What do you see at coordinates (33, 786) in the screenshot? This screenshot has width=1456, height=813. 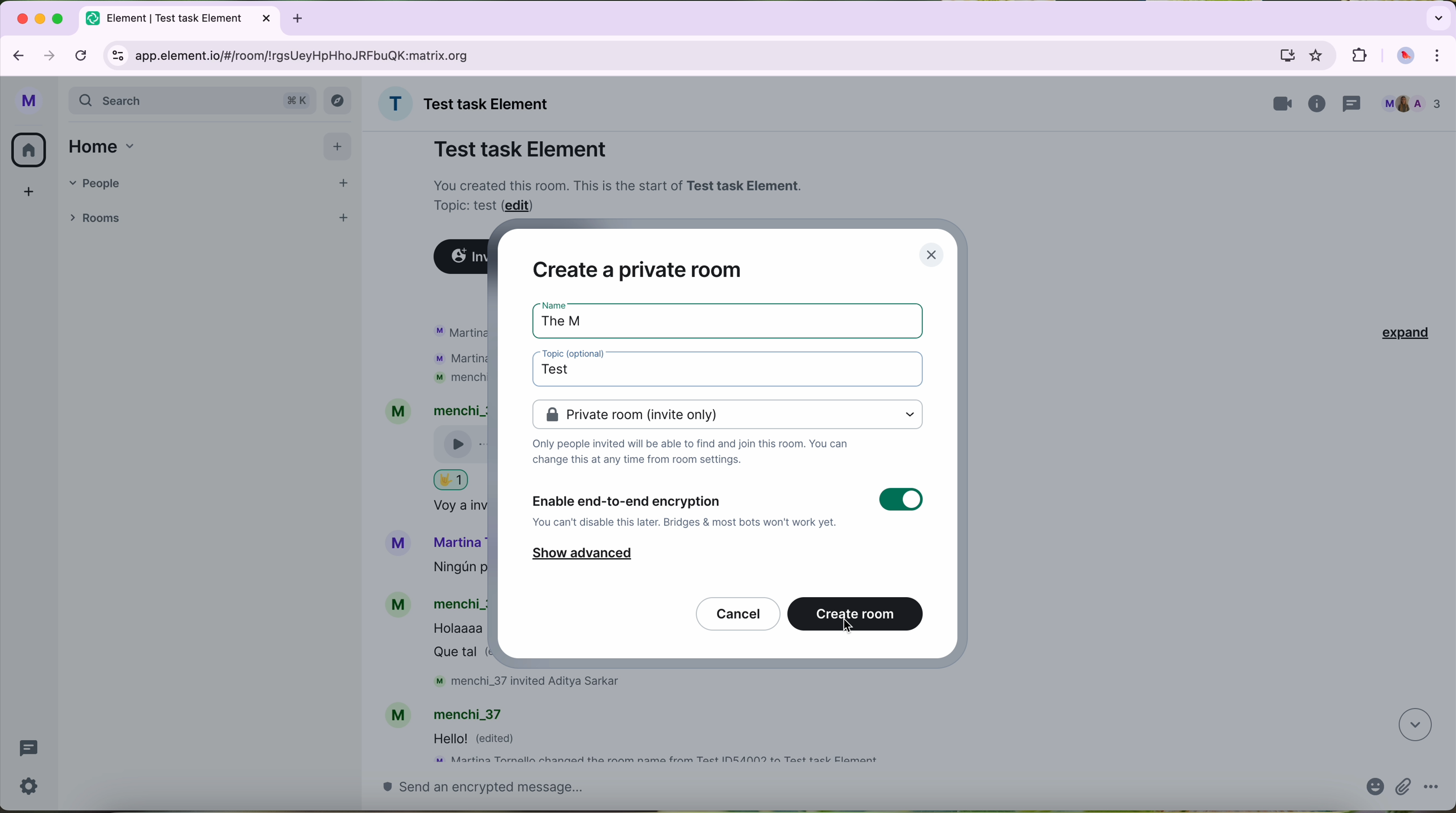 I see `settings` at bounding box center [33, 786].